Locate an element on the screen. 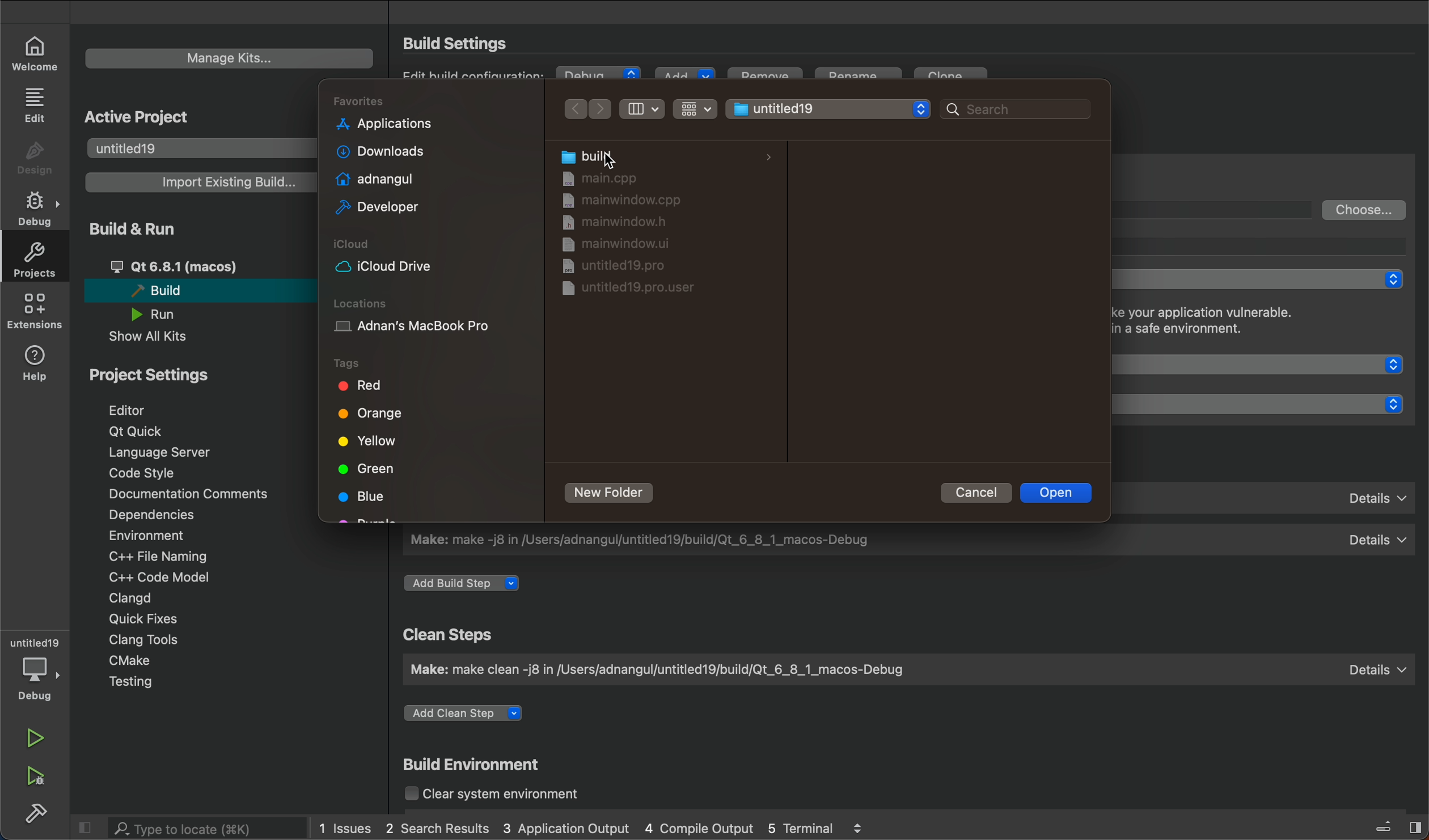  extensions is located at coordinates (34, 311).